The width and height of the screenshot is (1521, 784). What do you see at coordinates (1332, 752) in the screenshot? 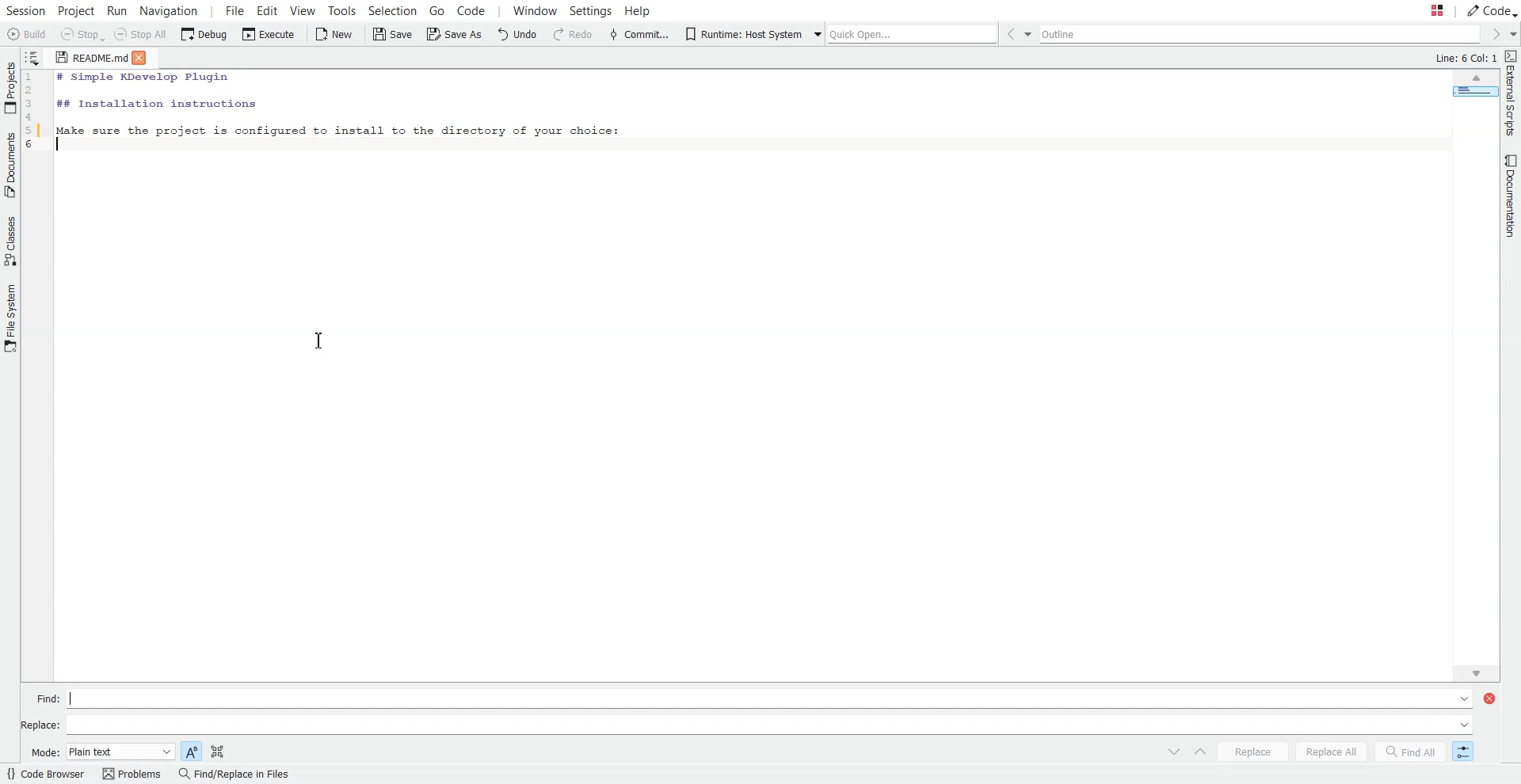
I see `Replace All` at bounding box center [1332, 752].